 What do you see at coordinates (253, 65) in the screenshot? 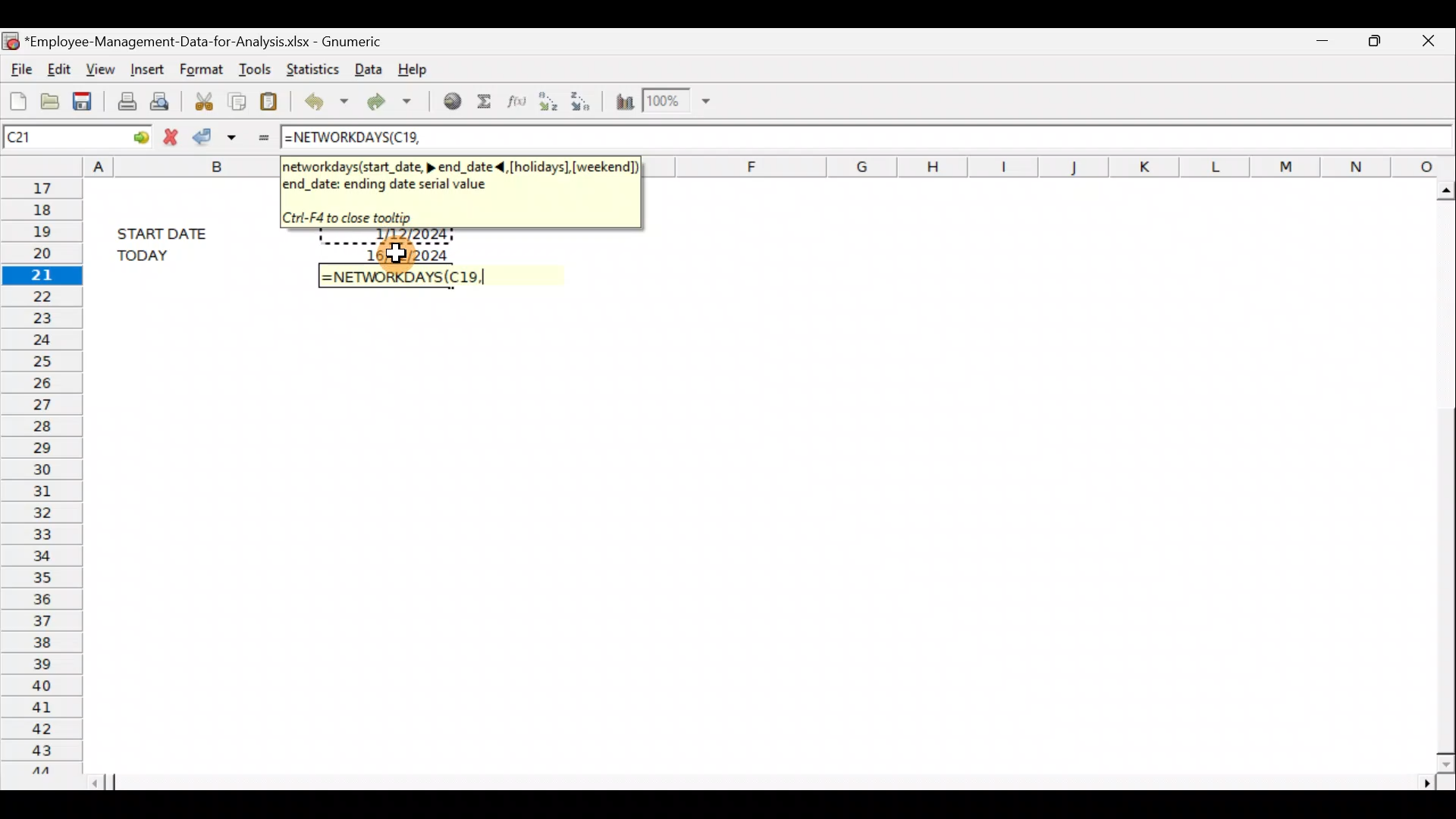
I see `Tools` at bounding box center [253, 65].